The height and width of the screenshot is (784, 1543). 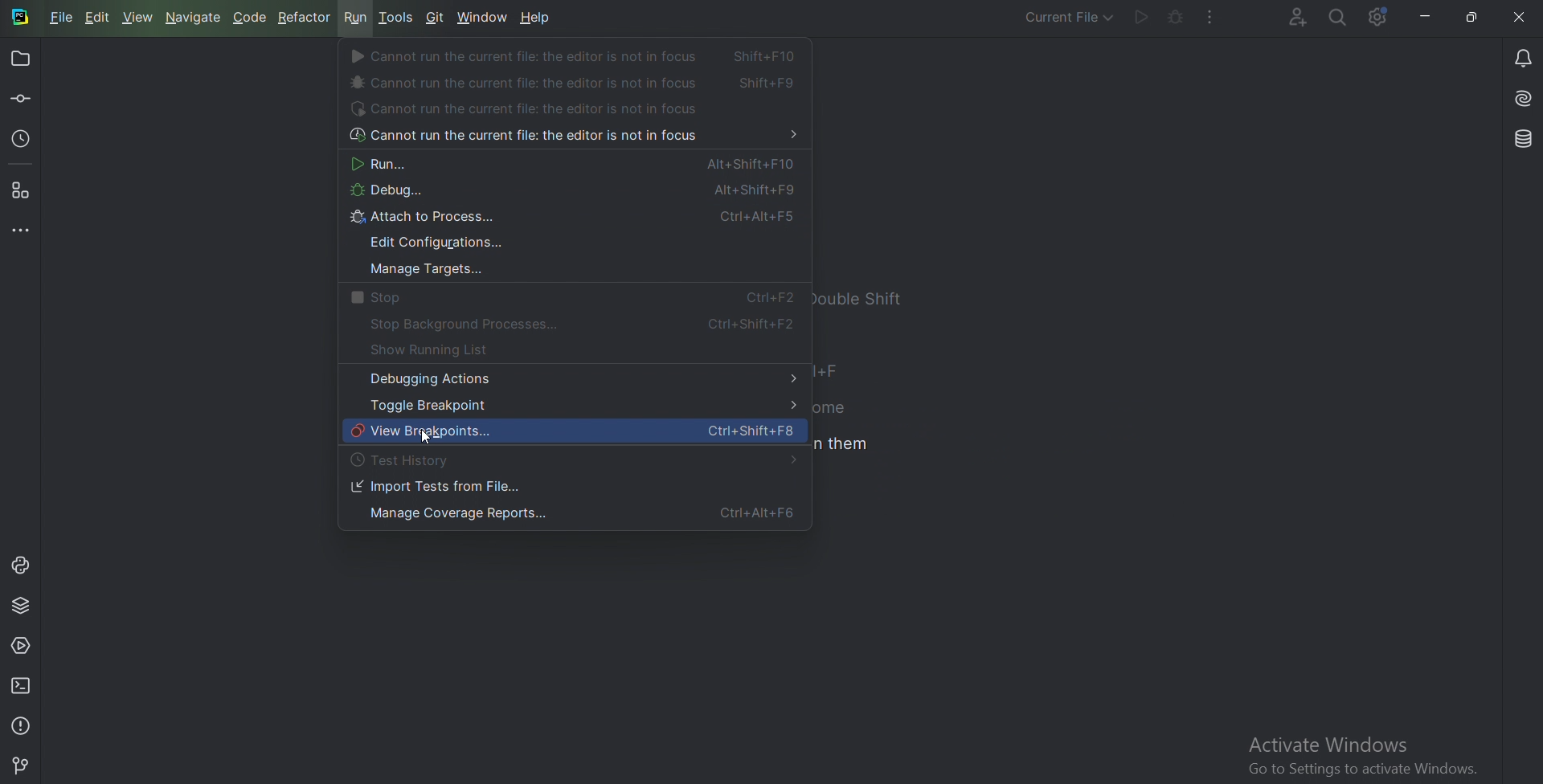 What do you see at coordinates (1174, 18) in the screenshot?
I see `Debug` at bounding box center [1174, 18].